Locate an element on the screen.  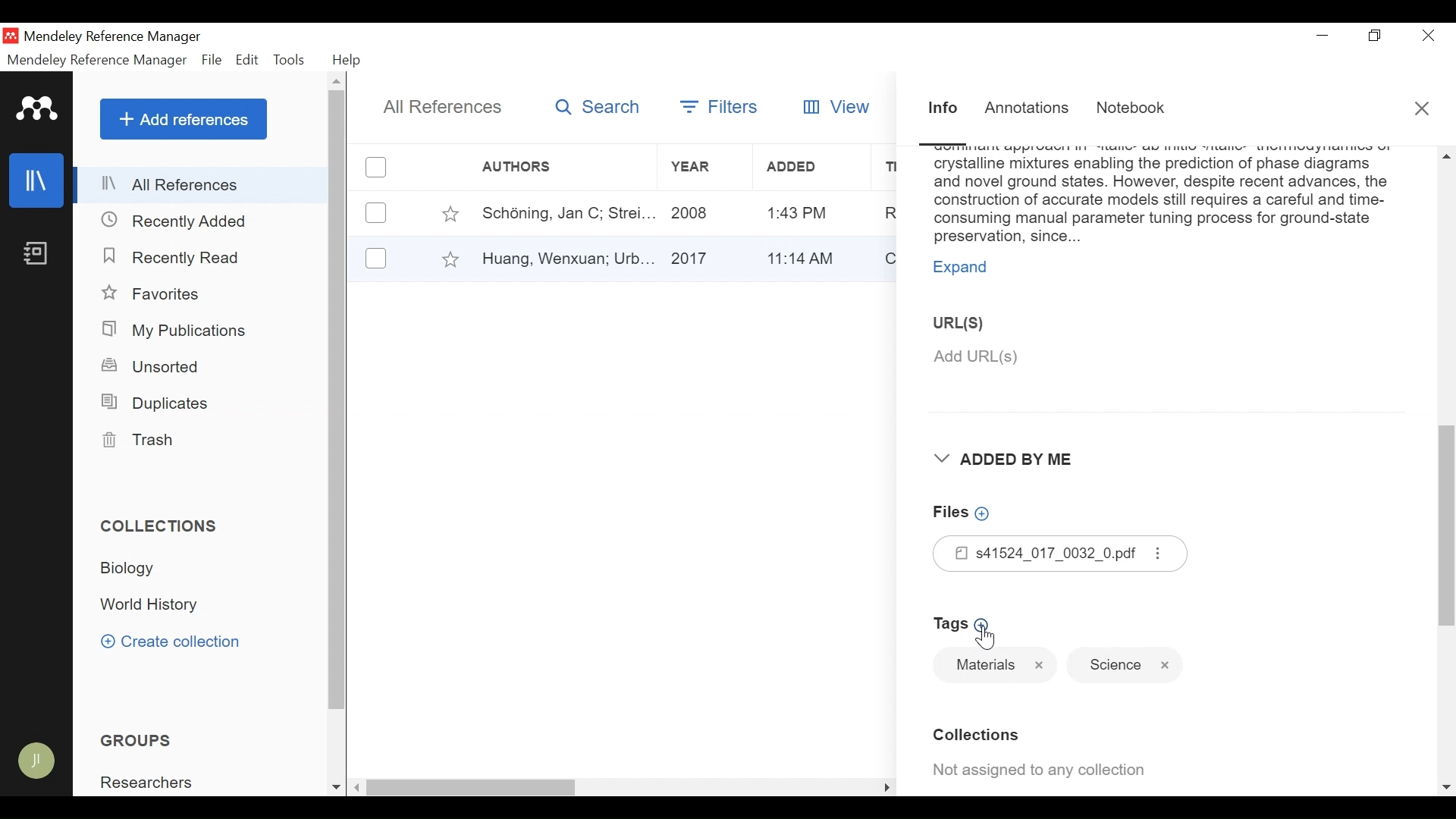
Notebook is located at coordinates (1134, 108).